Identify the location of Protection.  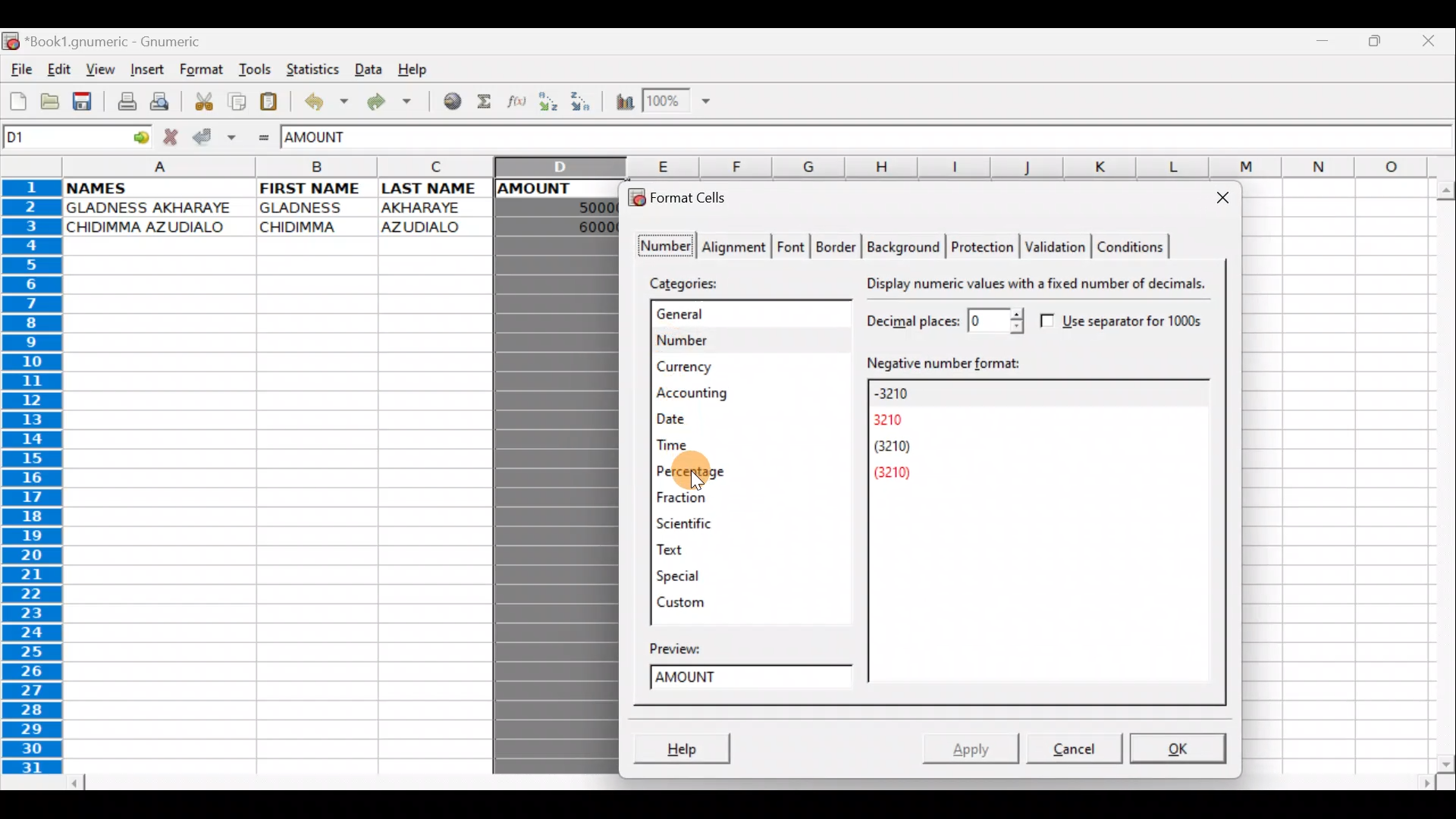
(981, 246).